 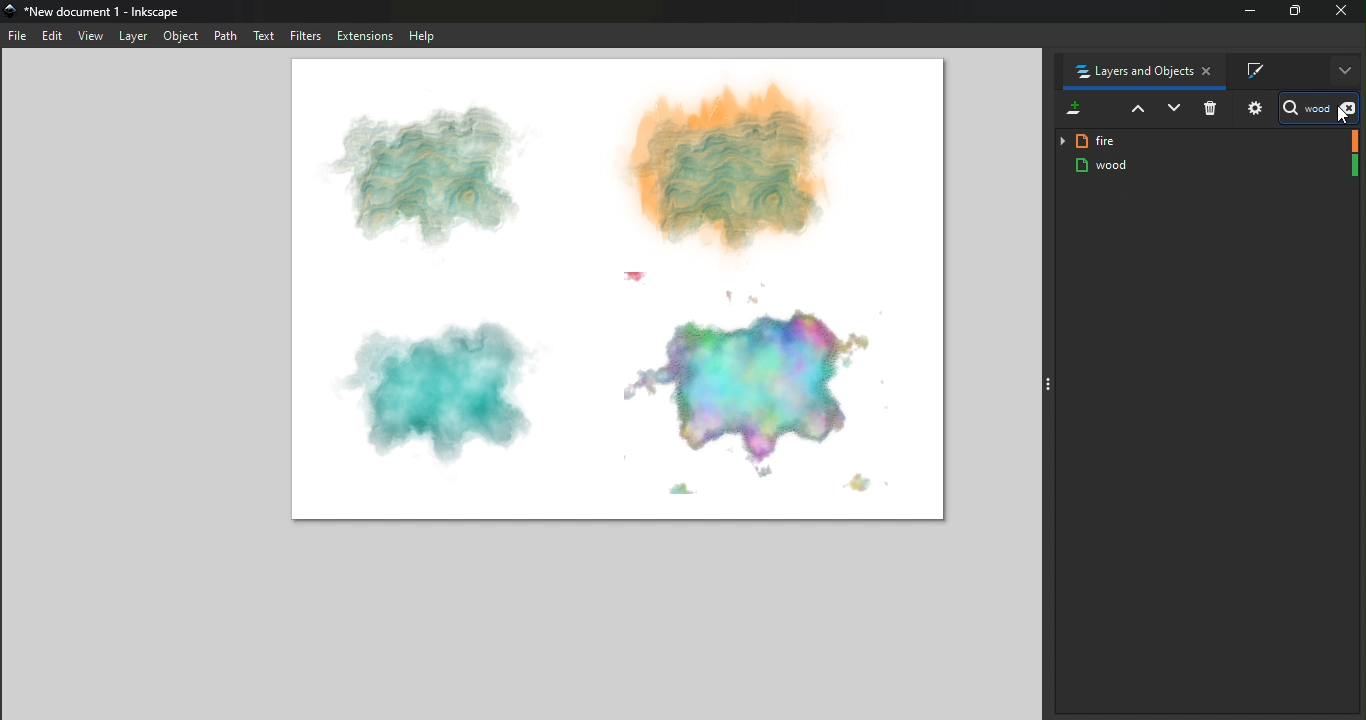 I want to click on Objects and layers dialog settings, so click(x=1260, y=107).